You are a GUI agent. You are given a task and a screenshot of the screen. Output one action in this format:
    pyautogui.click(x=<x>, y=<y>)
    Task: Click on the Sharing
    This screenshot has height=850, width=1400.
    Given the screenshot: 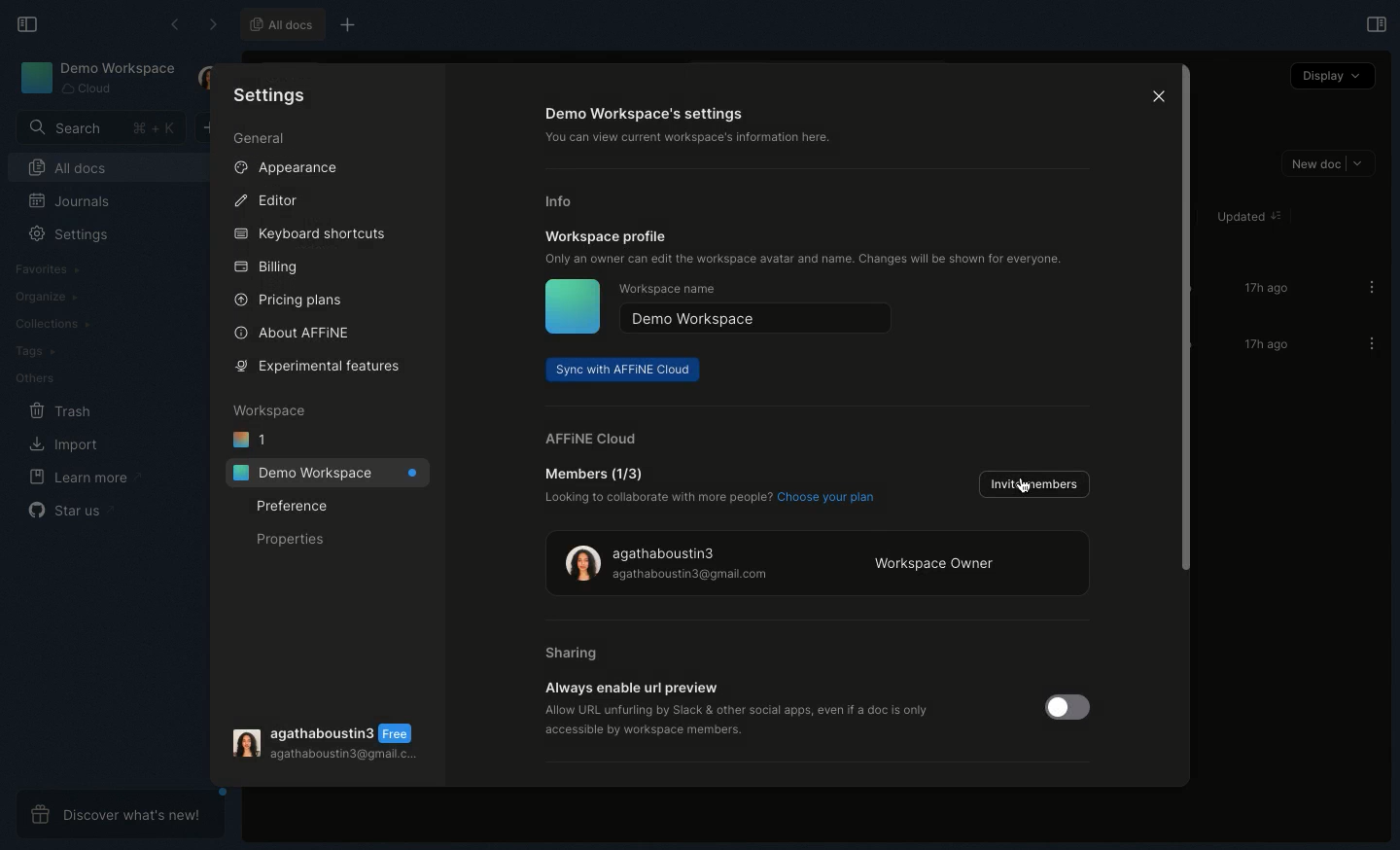 What is the action you would take?
    pyautogui.click(x=573, y=654)
    